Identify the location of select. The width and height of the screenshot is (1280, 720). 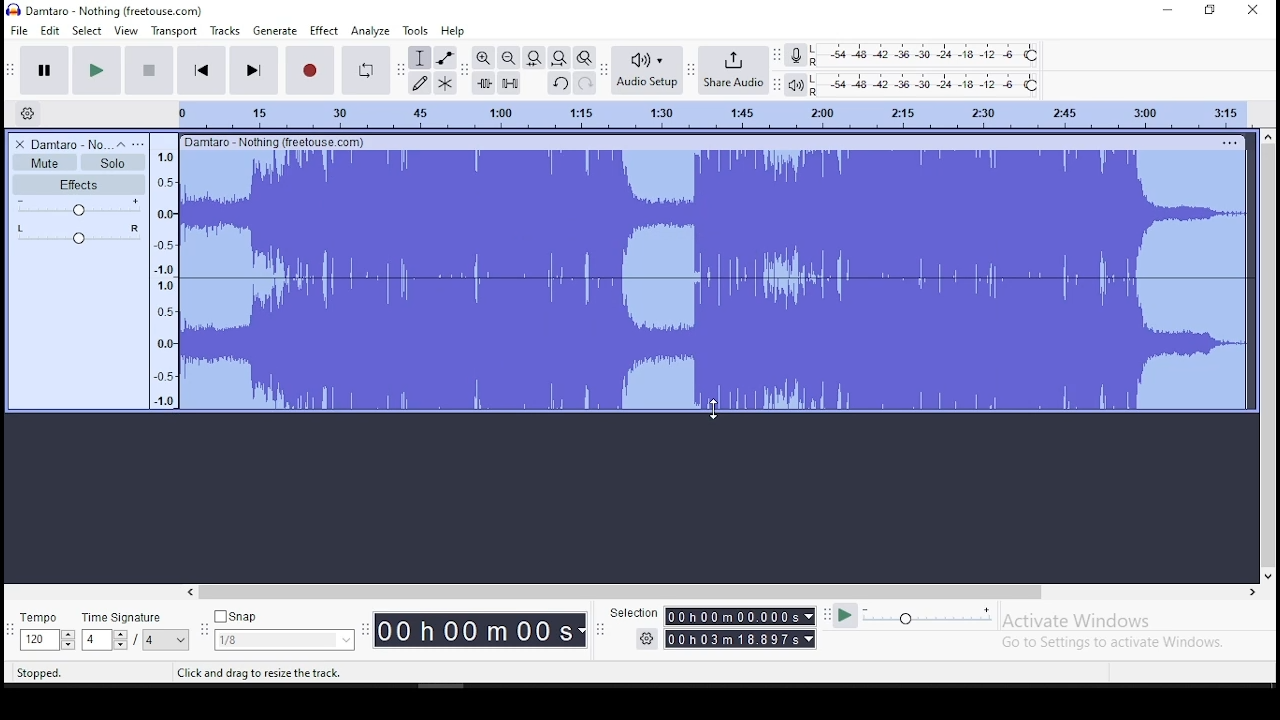
(88, 30).